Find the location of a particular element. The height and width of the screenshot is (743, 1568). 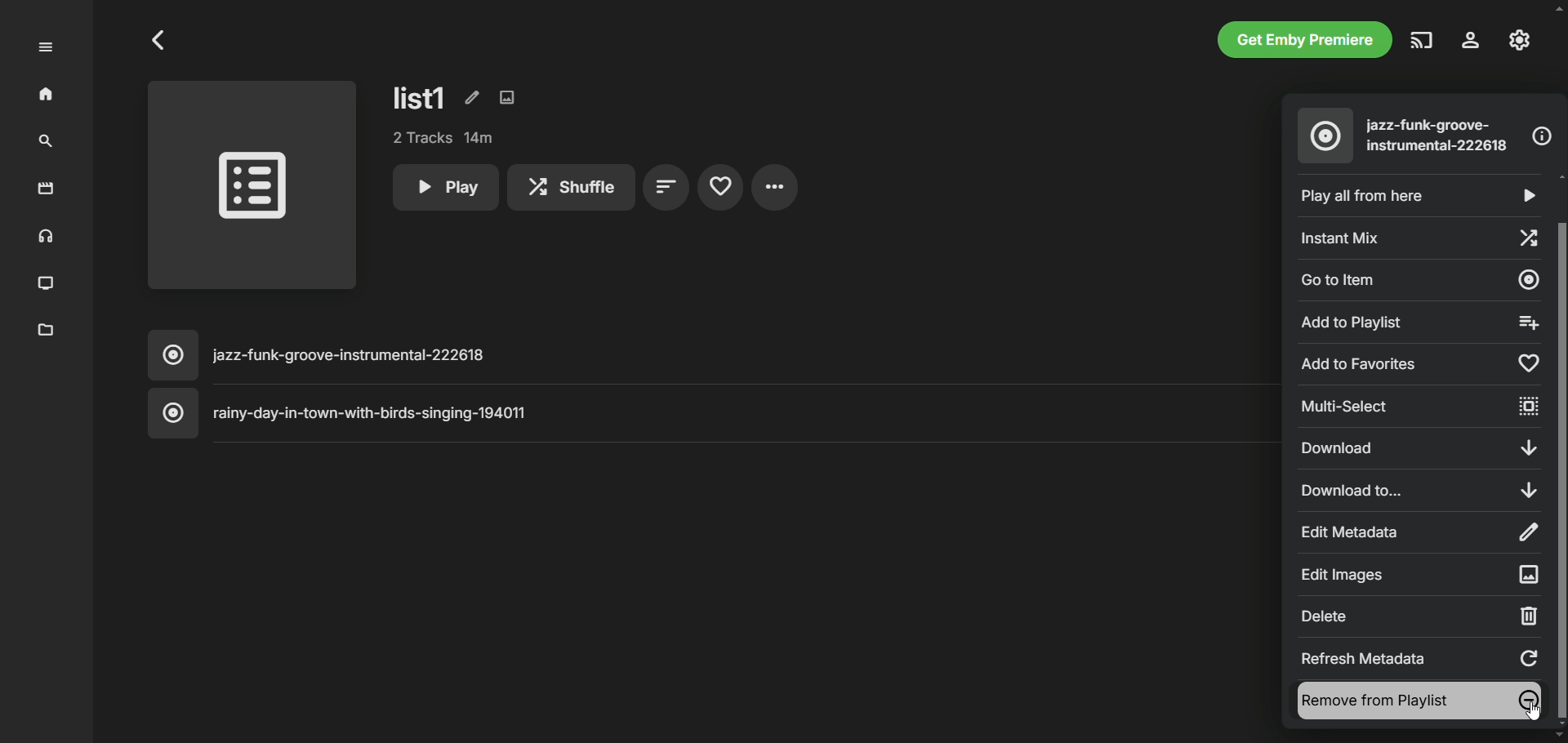

list is located at coordinates (421, 97).